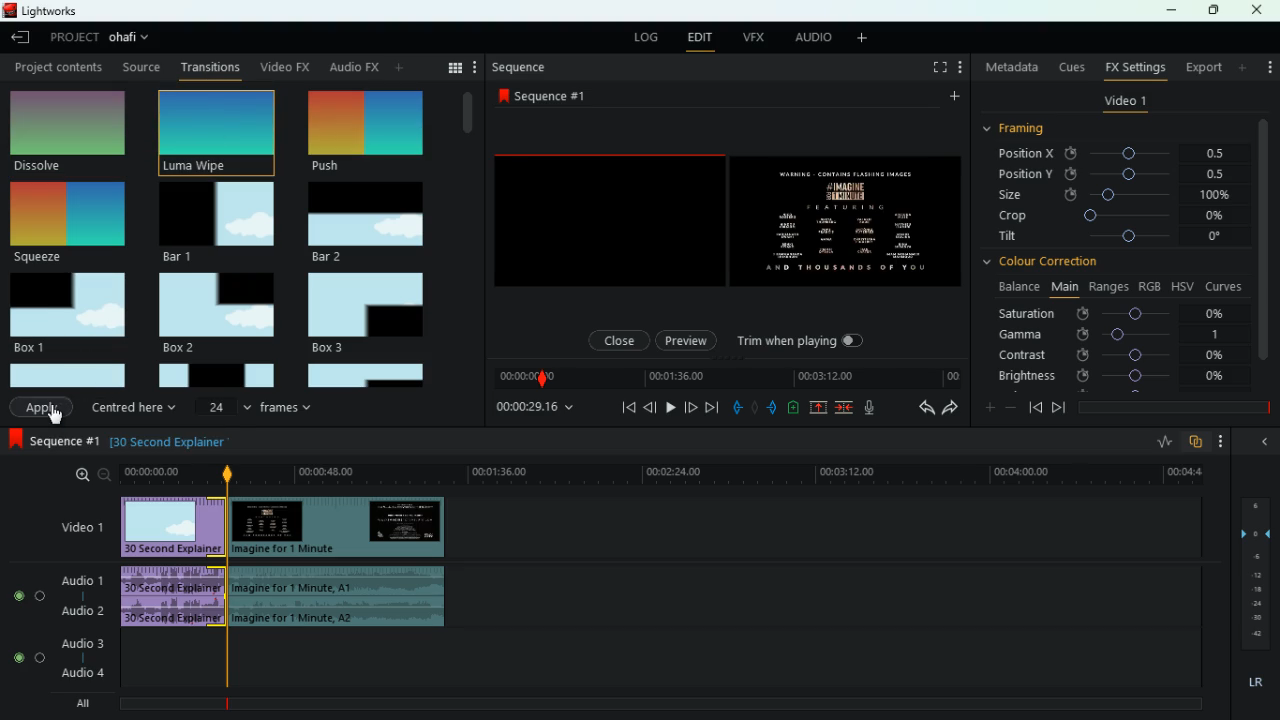 The image size is (1280, 720). Describe the element at coordinates (23, 39) in the screenshot. I see `back` at that location.